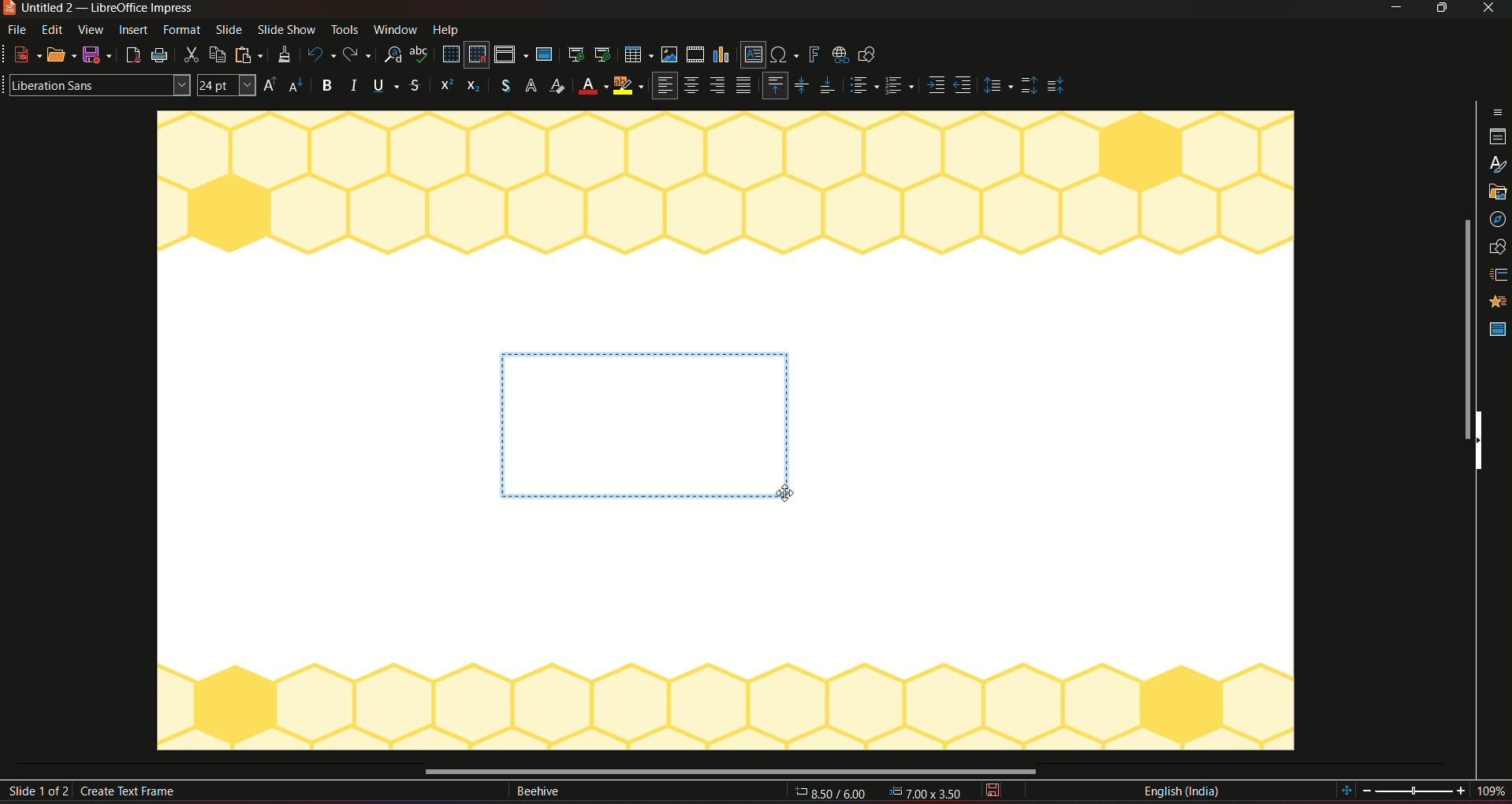 Image resolution: width=1512 pixels, height=804 pixels. What do you see at coordinates (1416, 791) in the screenshot?
I see `edit zoom` at bounding box center [1416, 791].